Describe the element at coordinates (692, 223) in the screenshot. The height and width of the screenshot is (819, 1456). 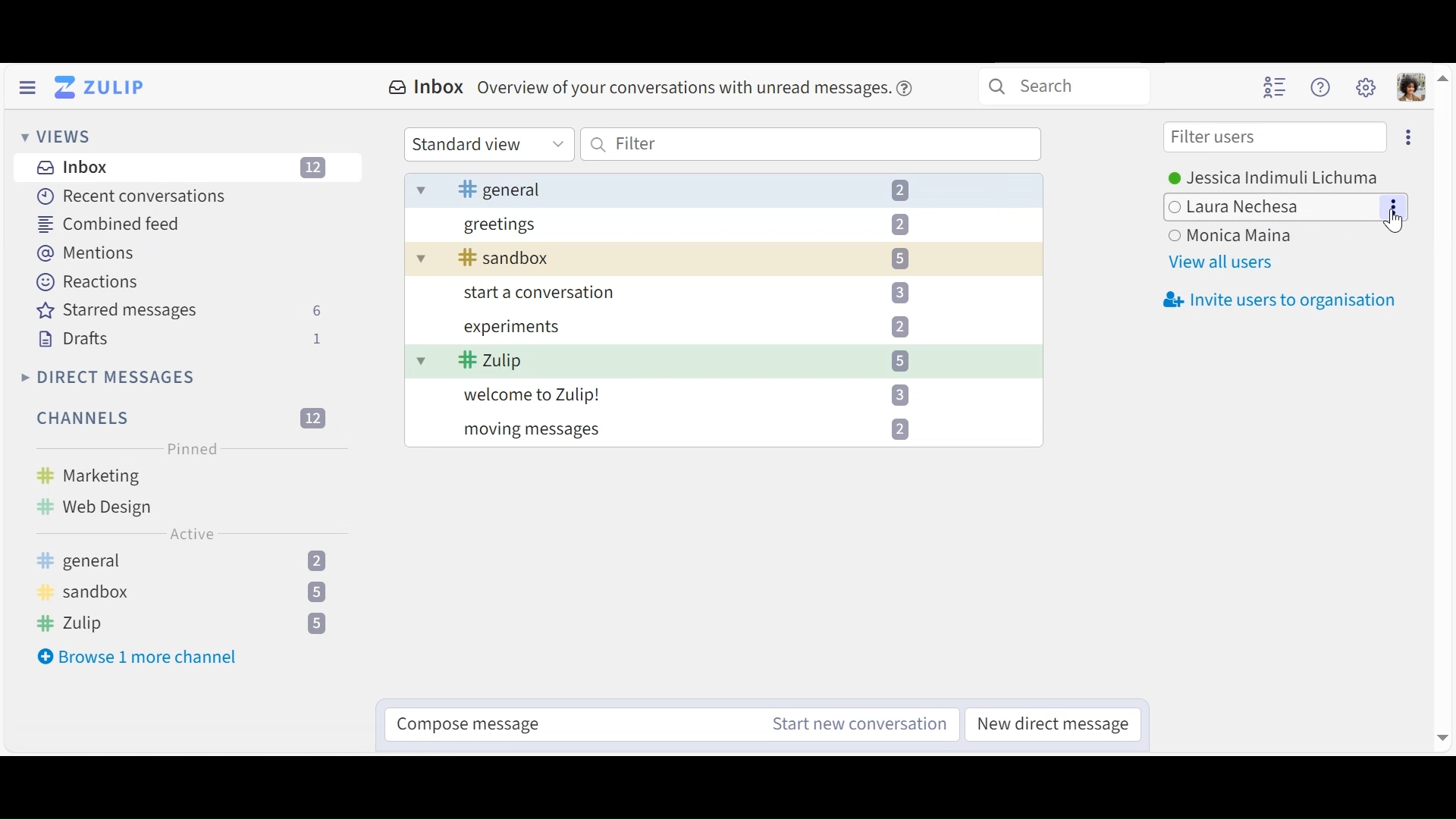
I see `greetings` at that location.